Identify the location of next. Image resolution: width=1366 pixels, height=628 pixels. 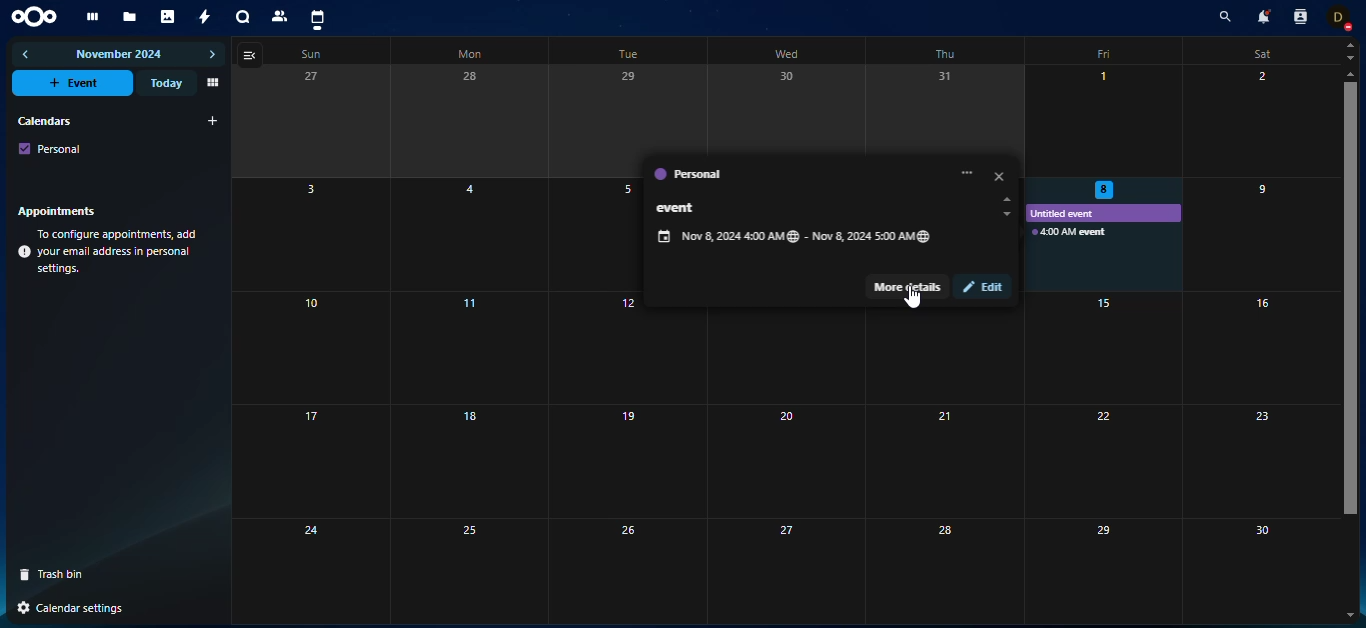
(212, 55).